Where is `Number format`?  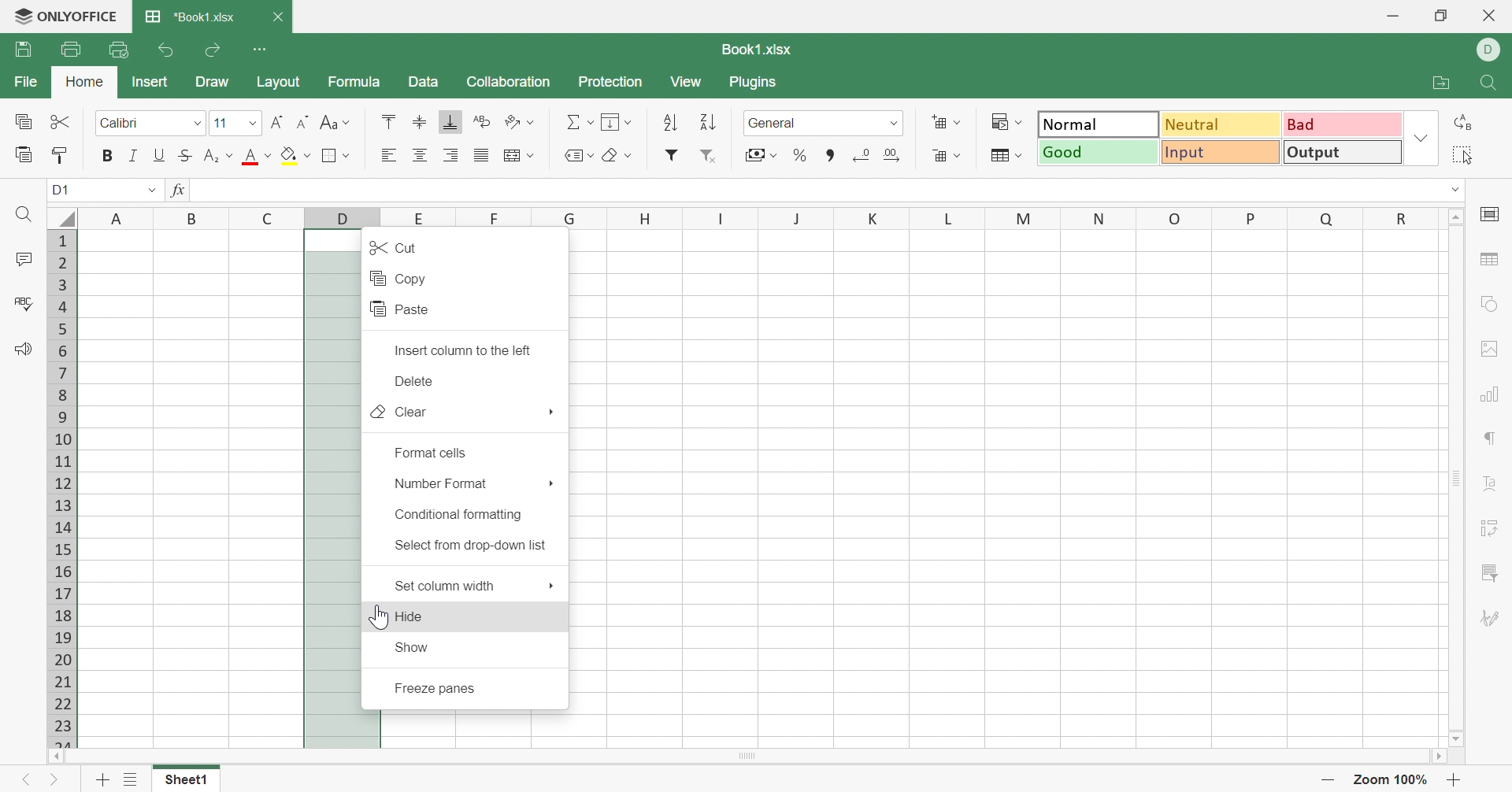 Number format is located at coordinates (443, 486).